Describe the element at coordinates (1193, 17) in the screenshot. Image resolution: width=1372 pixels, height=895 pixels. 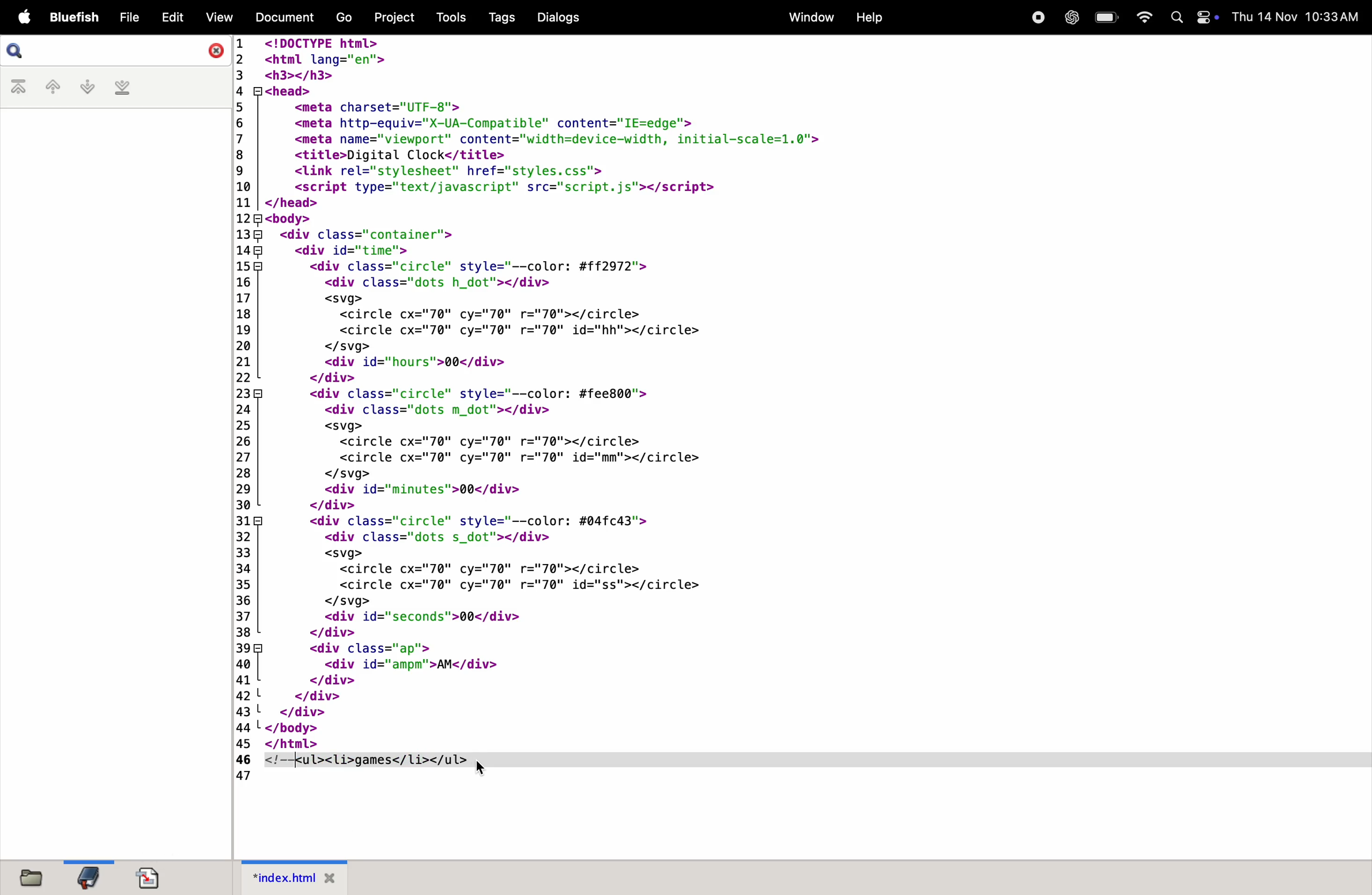
I see `apple widgets` at that location.